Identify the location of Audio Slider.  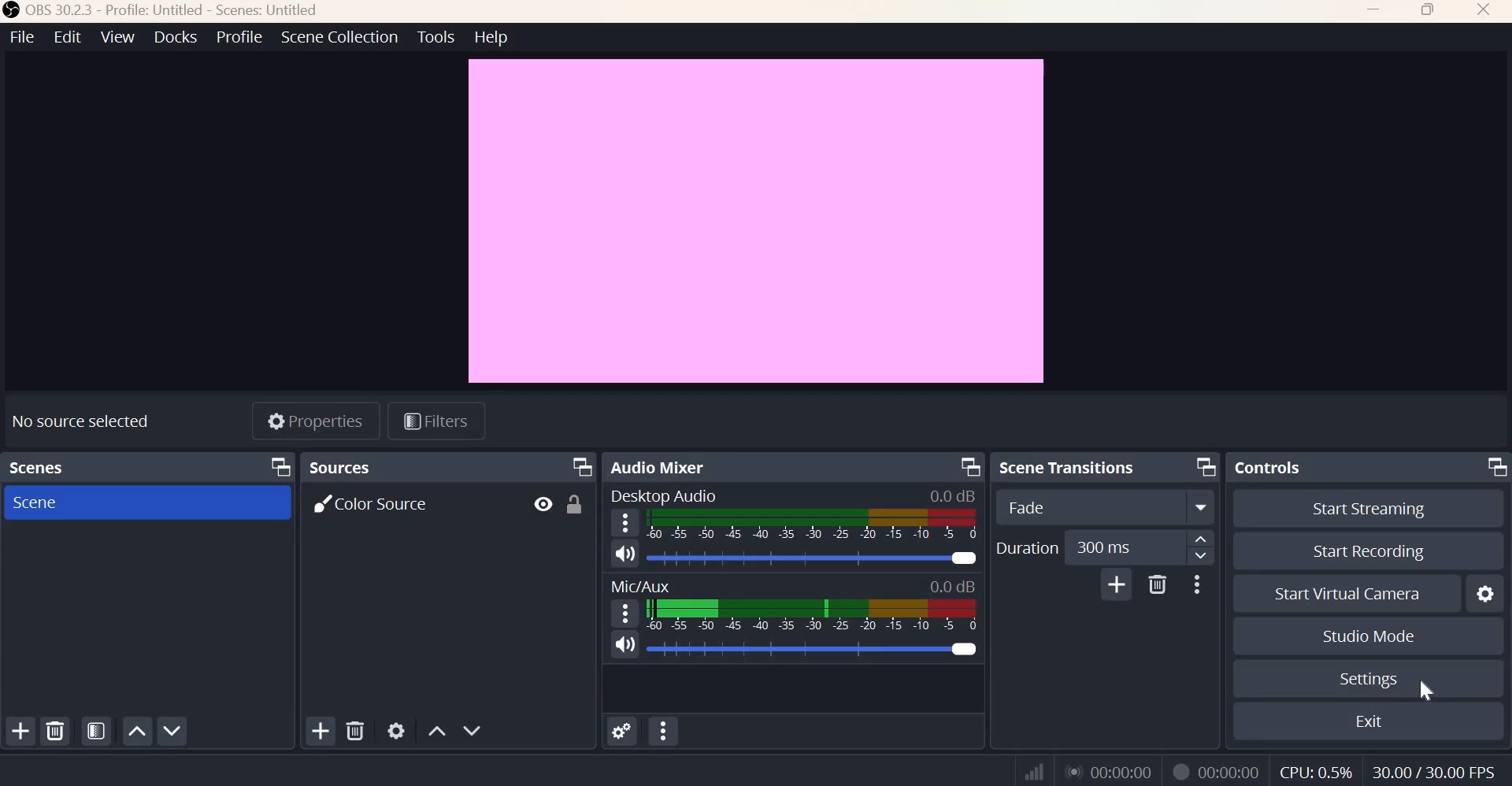
(962, 649).